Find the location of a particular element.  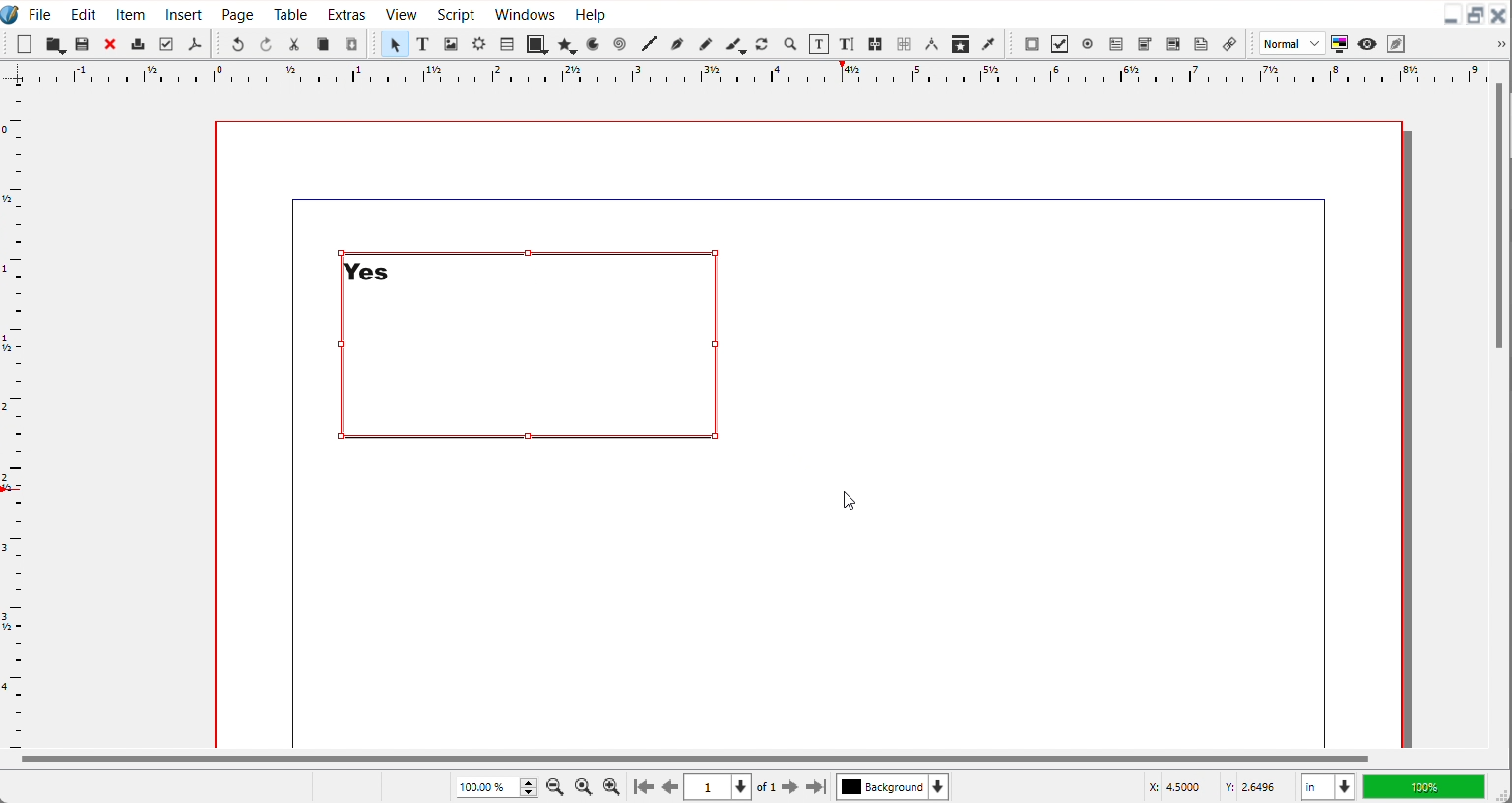

Horizontal scale is located at coordinates (756, 73).